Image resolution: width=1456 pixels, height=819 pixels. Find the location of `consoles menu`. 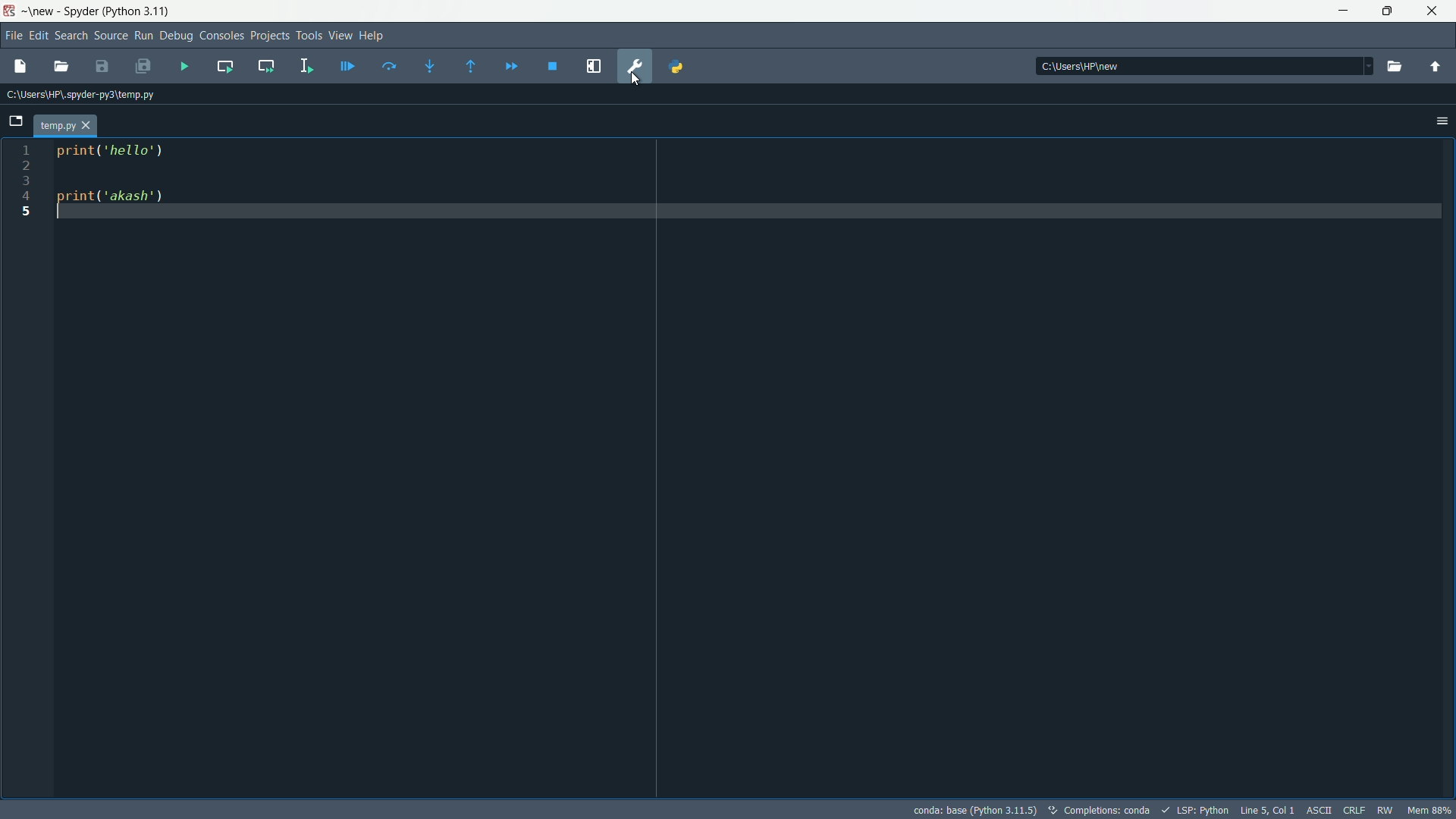

consoles menu is located at coordinates (220, 35).